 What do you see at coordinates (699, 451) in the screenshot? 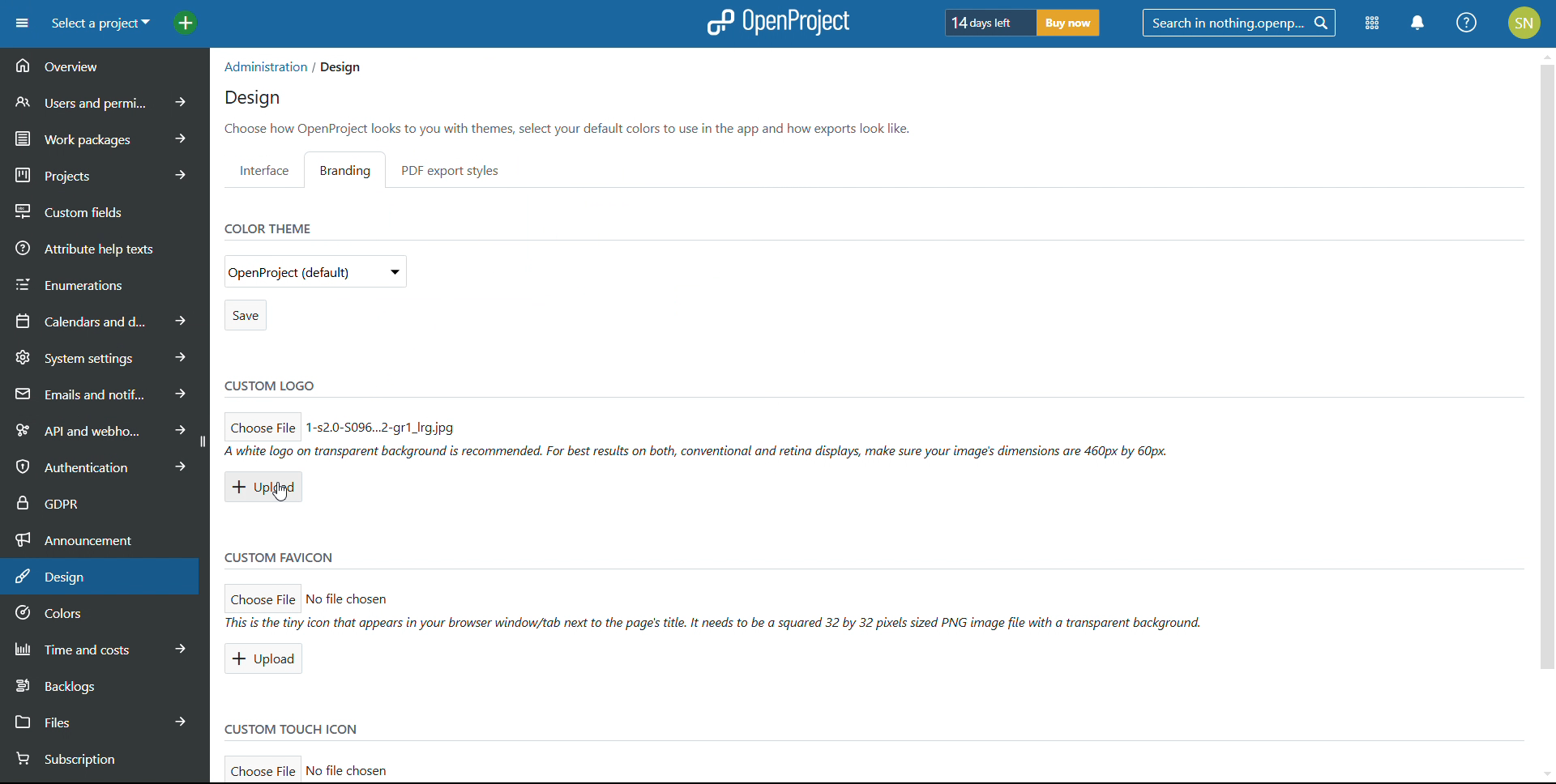
I see `A white logo on transparent background (s recommended. For best results on both, conventional and retina displays, make sure your images dimensions are 460px by 60px.` at bounding box center [699, 451].